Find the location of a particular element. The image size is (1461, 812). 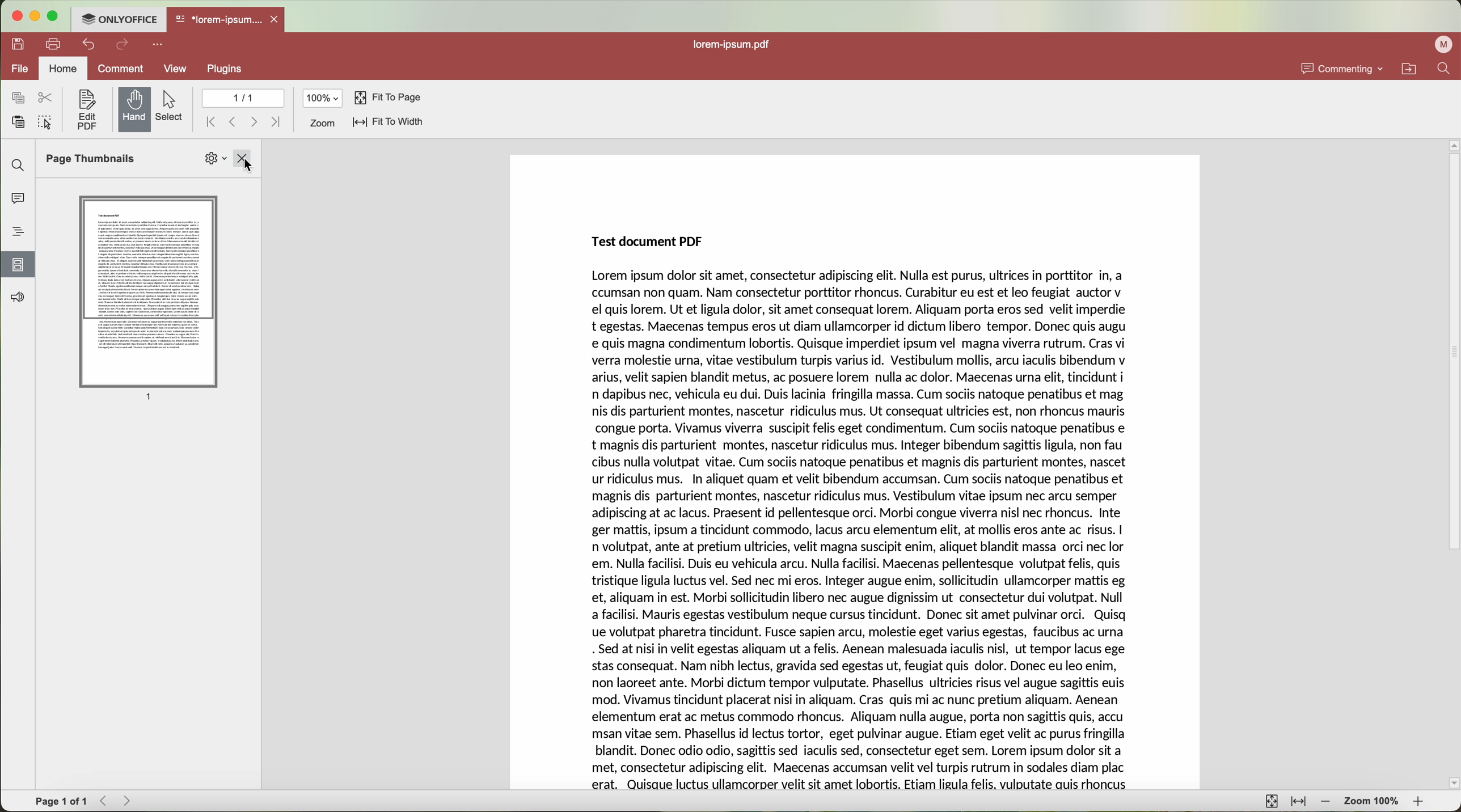

edit PDF is located at coordinates (85, 109).